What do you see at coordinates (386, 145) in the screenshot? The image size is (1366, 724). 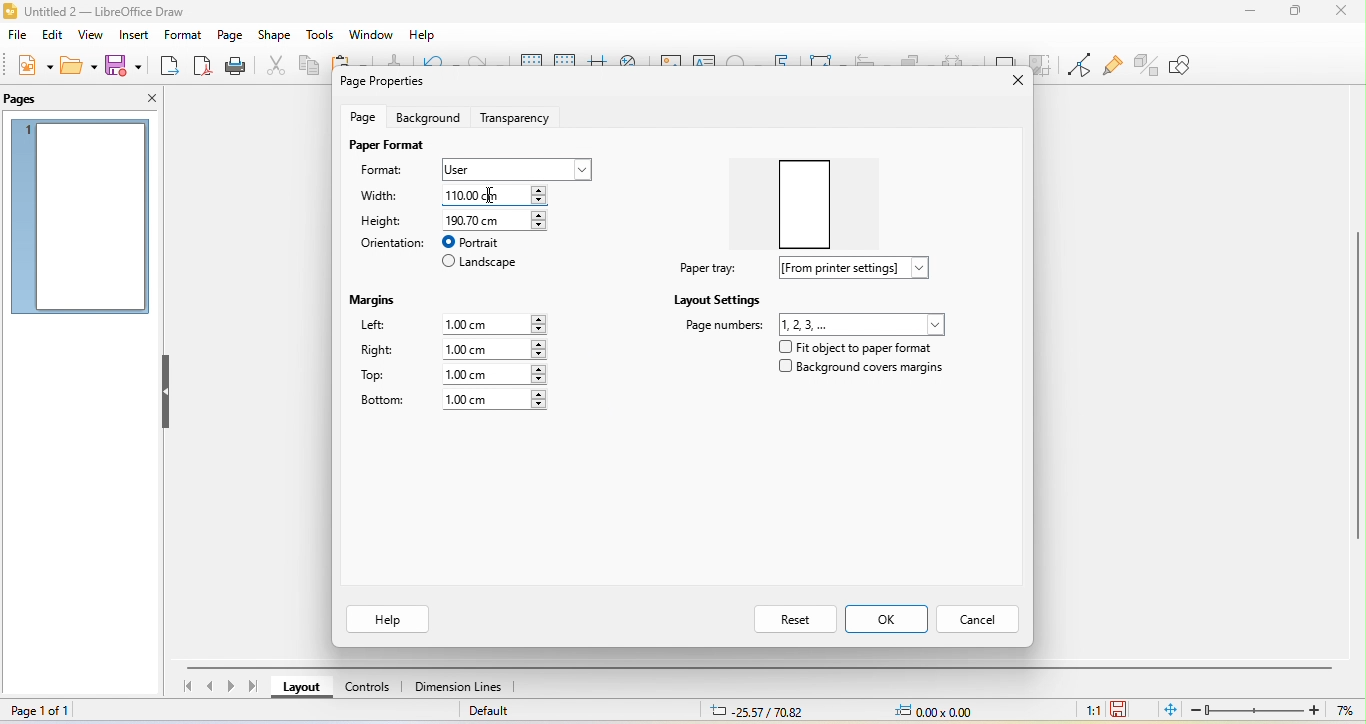 I see `paper format` at bounding box center [386, 145].